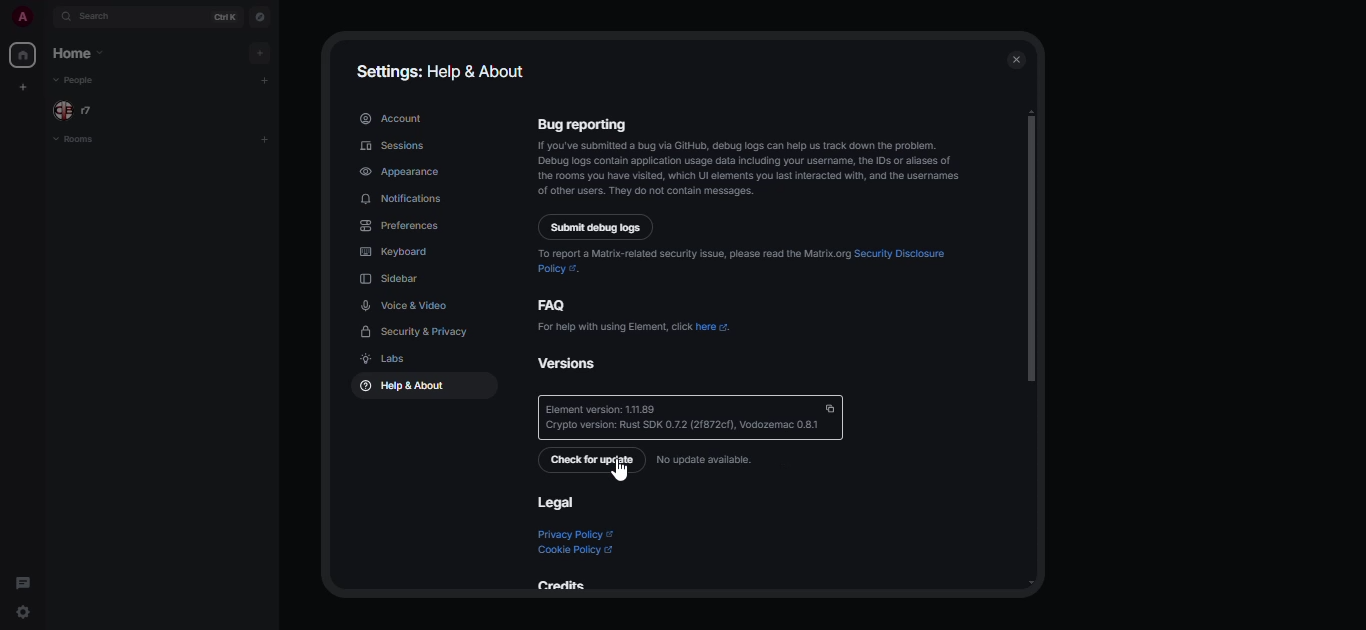 Image resolution: width=1366 pixels, height=630 pixels. What do you see at coordinates (1018, 61) in the screenshot?
I see `close` at bounding box center [1018, 61].